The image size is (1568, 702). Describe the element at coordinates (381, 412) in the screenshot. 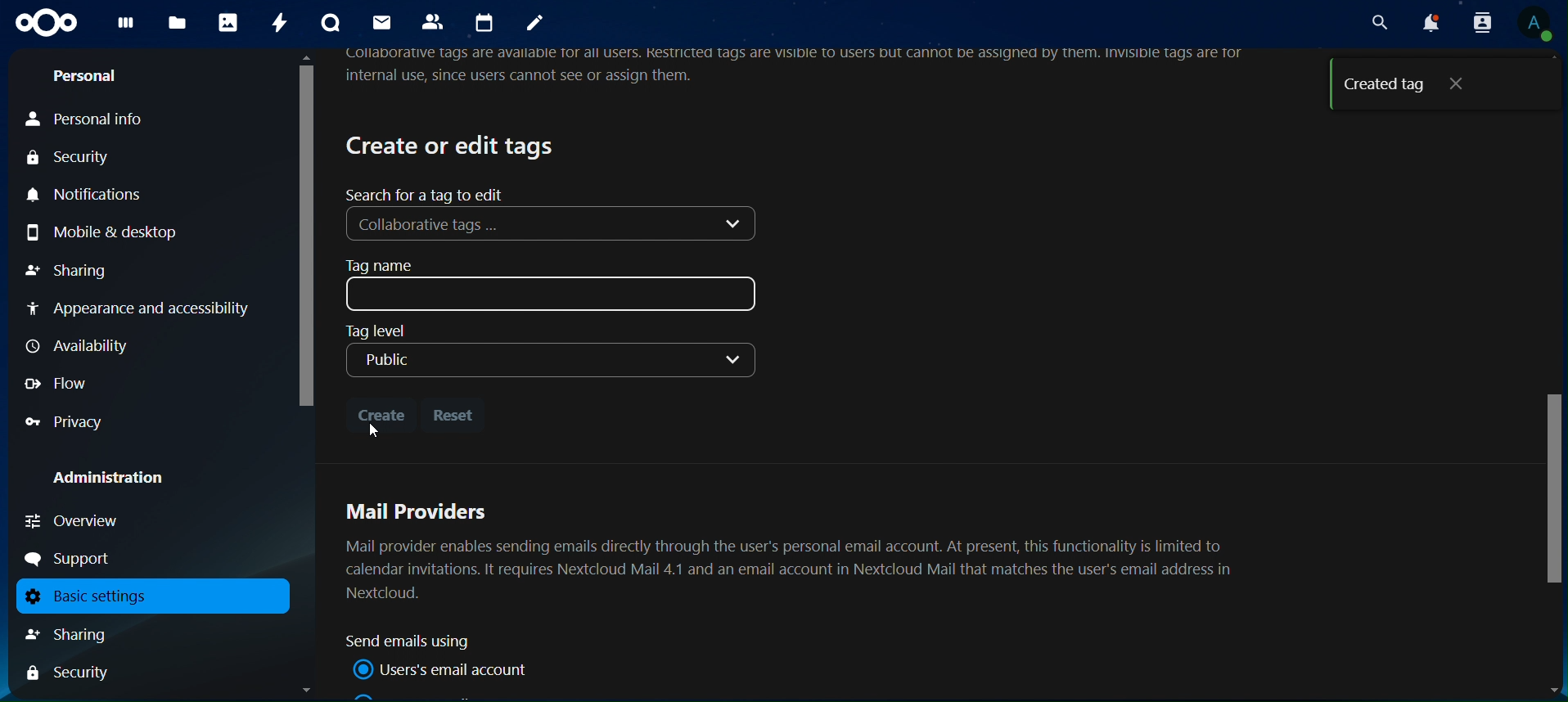

I see `create` at that location.